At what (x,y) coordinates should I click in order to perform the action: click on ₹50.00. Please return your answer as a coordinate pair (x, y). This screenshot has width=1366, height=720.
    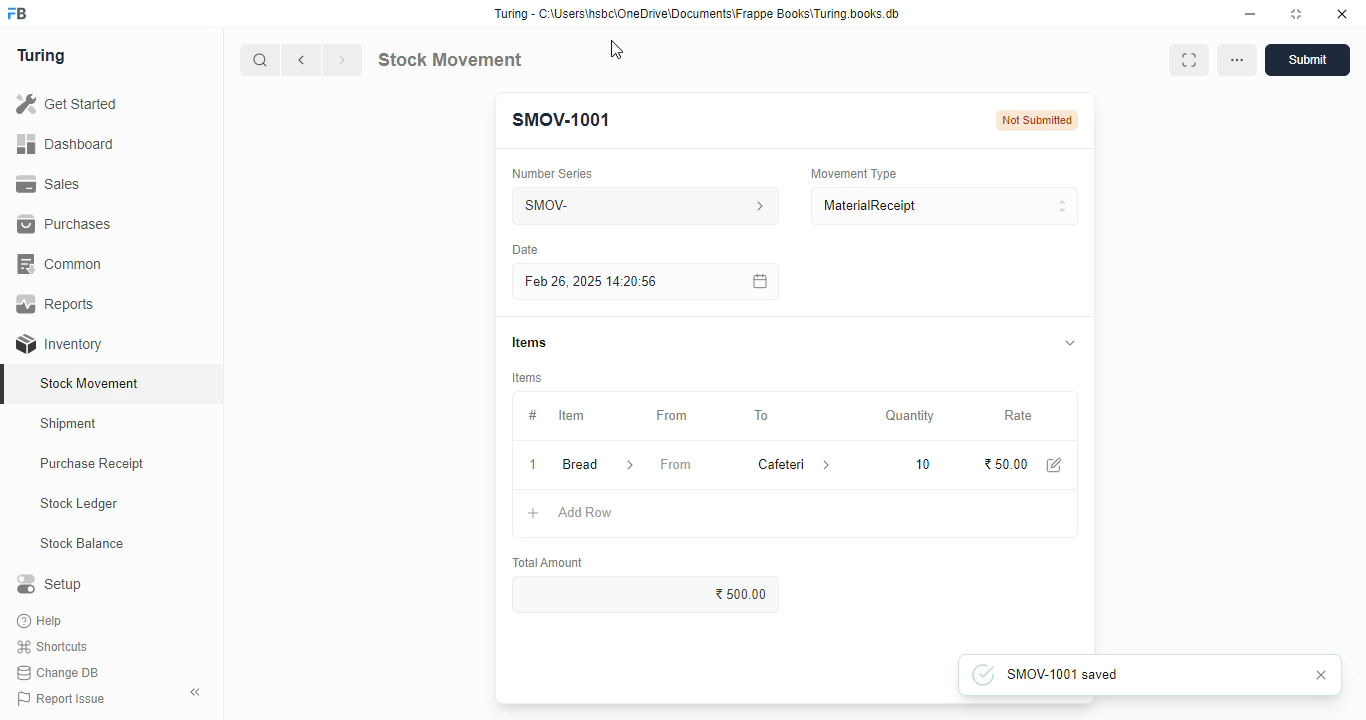
    Looking at the image, I should click on (1007, 464).